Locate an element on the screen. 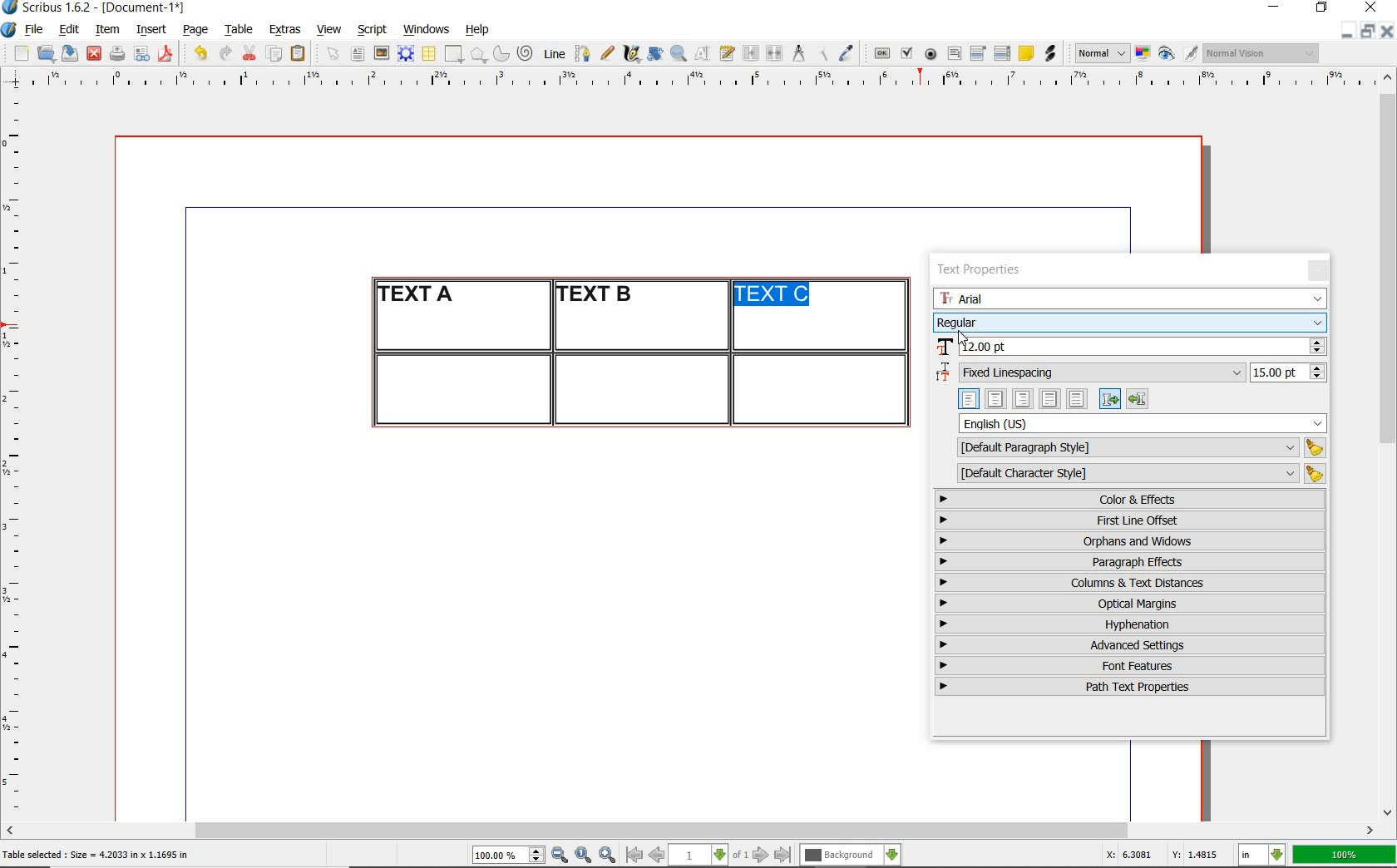 The image size is (1397, 868). restore is located at coordinates (1322, 8).